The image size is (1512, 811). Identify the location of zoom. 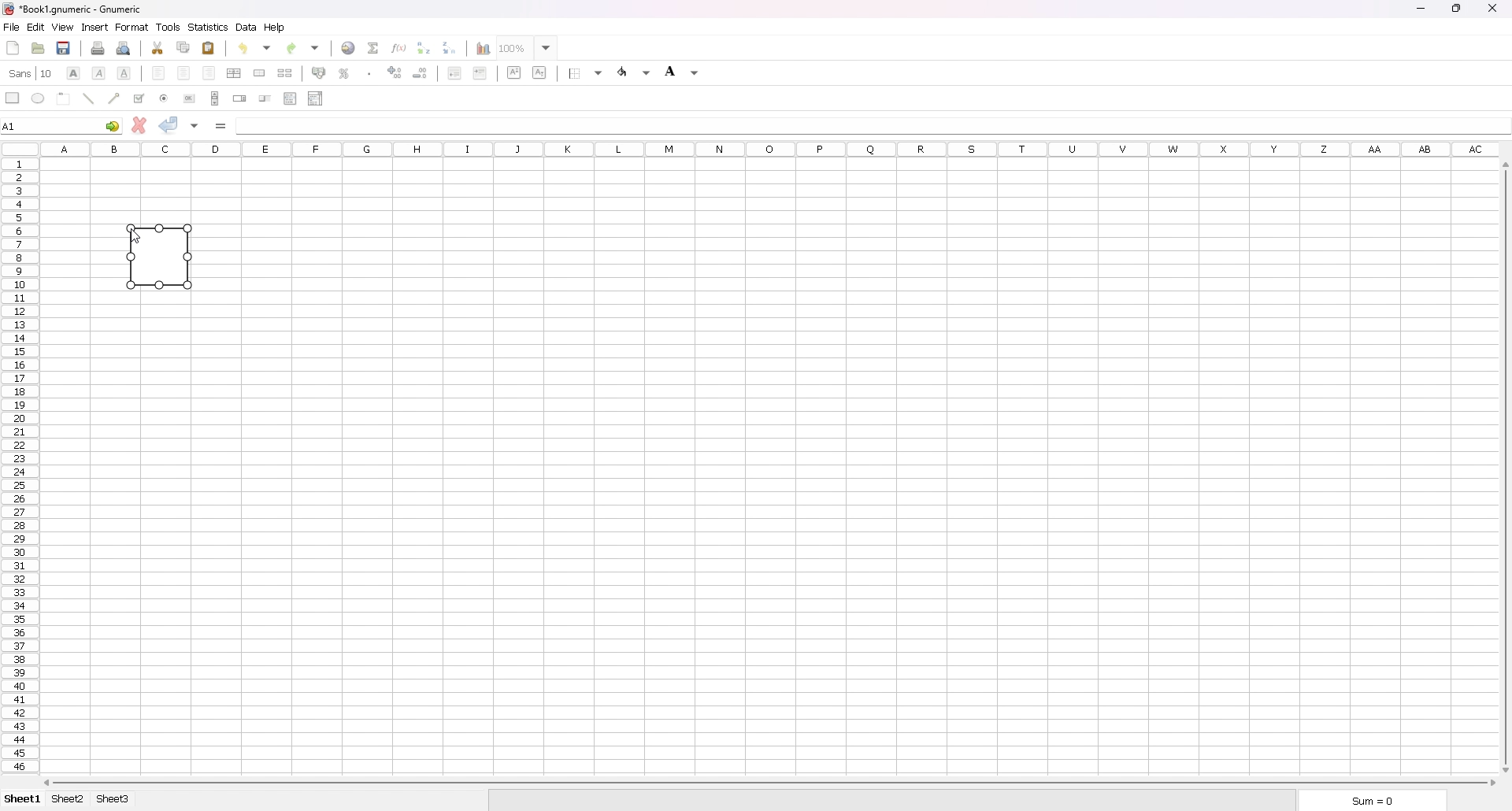
(527, 47).